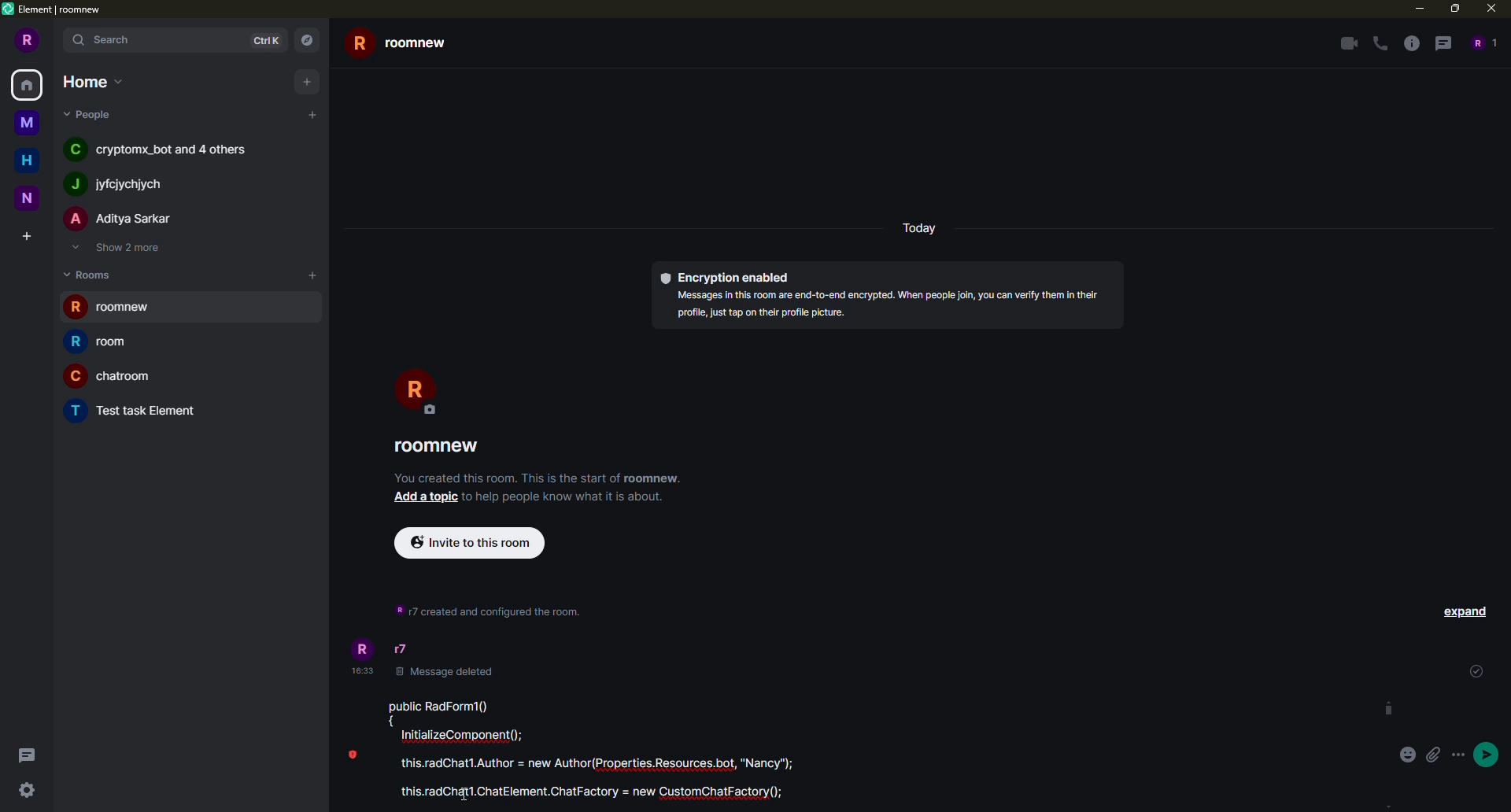 Image resolution: width=1511 pixels, height=812 pixels. What do you see at coordinates (732, 276) in the screenshot?
I see `encryption enabled` at bounding box center [732, 276].